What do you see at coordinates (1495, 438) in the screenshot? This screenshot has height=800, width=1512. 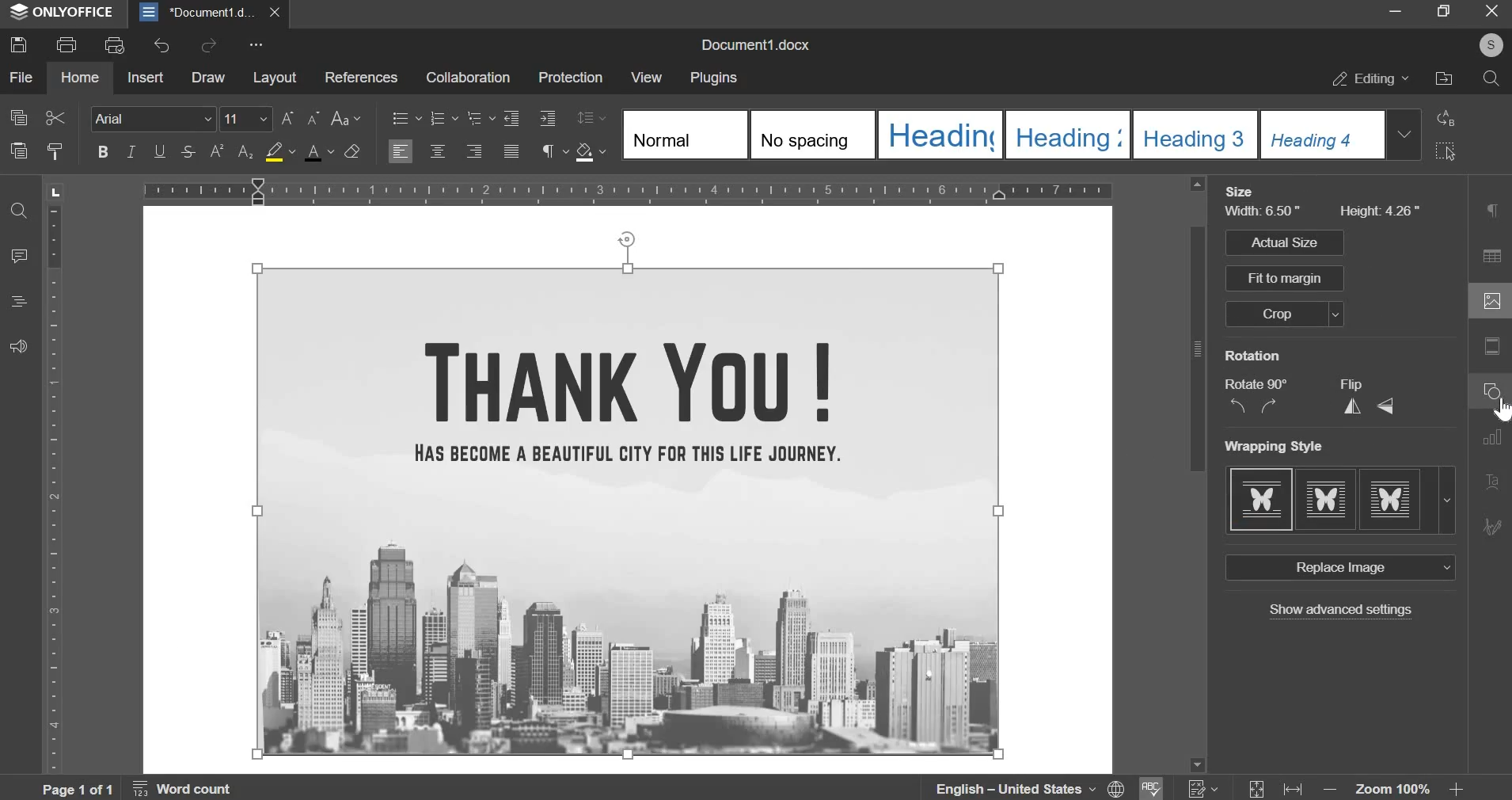 I see `chart settings` at bounding box center [1495, 438].